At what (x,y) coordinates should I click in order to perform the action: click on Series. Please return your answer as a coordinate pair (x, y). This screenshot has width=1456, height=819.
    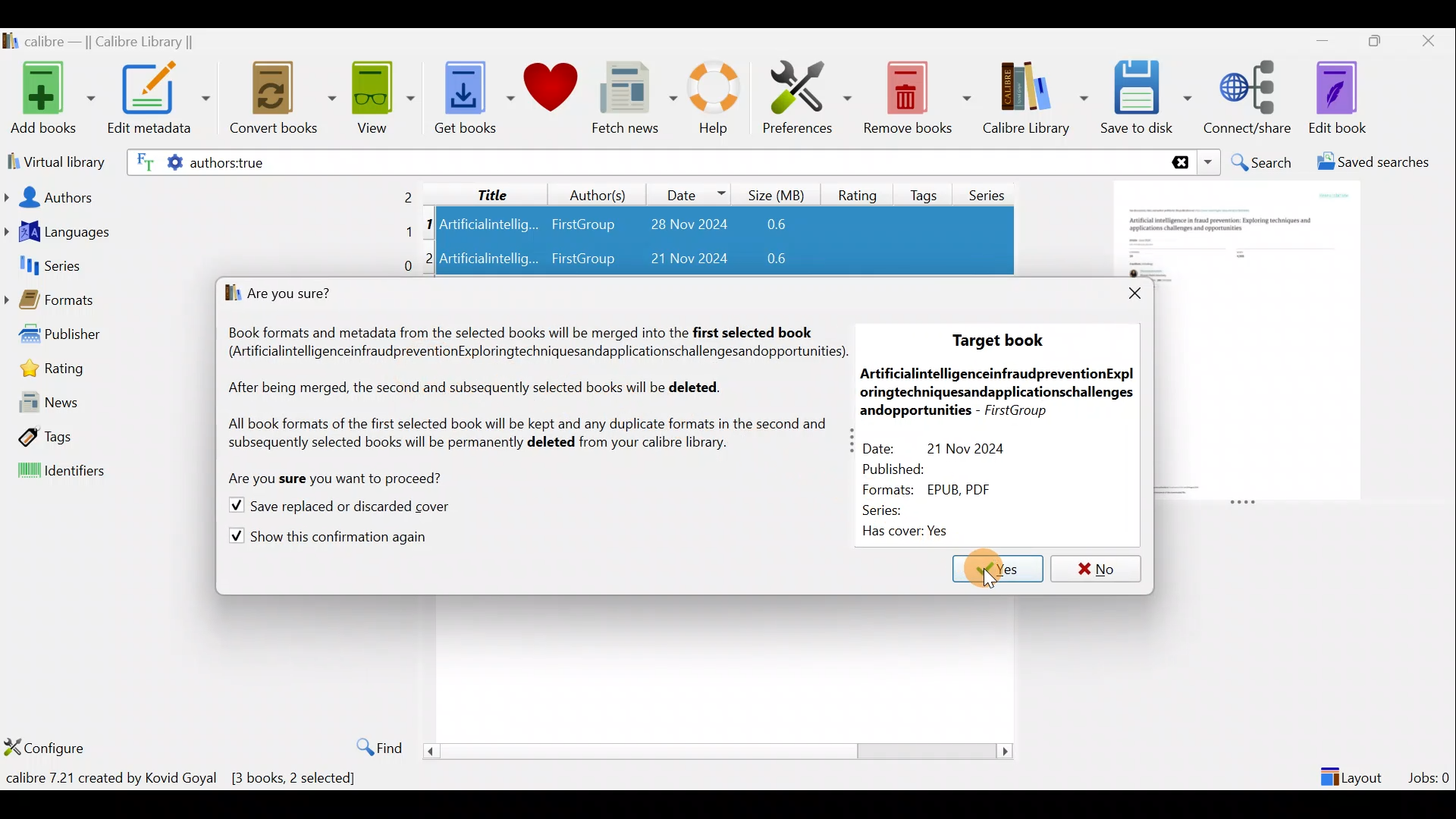
    Looking at the image, I should click on (210, 265).